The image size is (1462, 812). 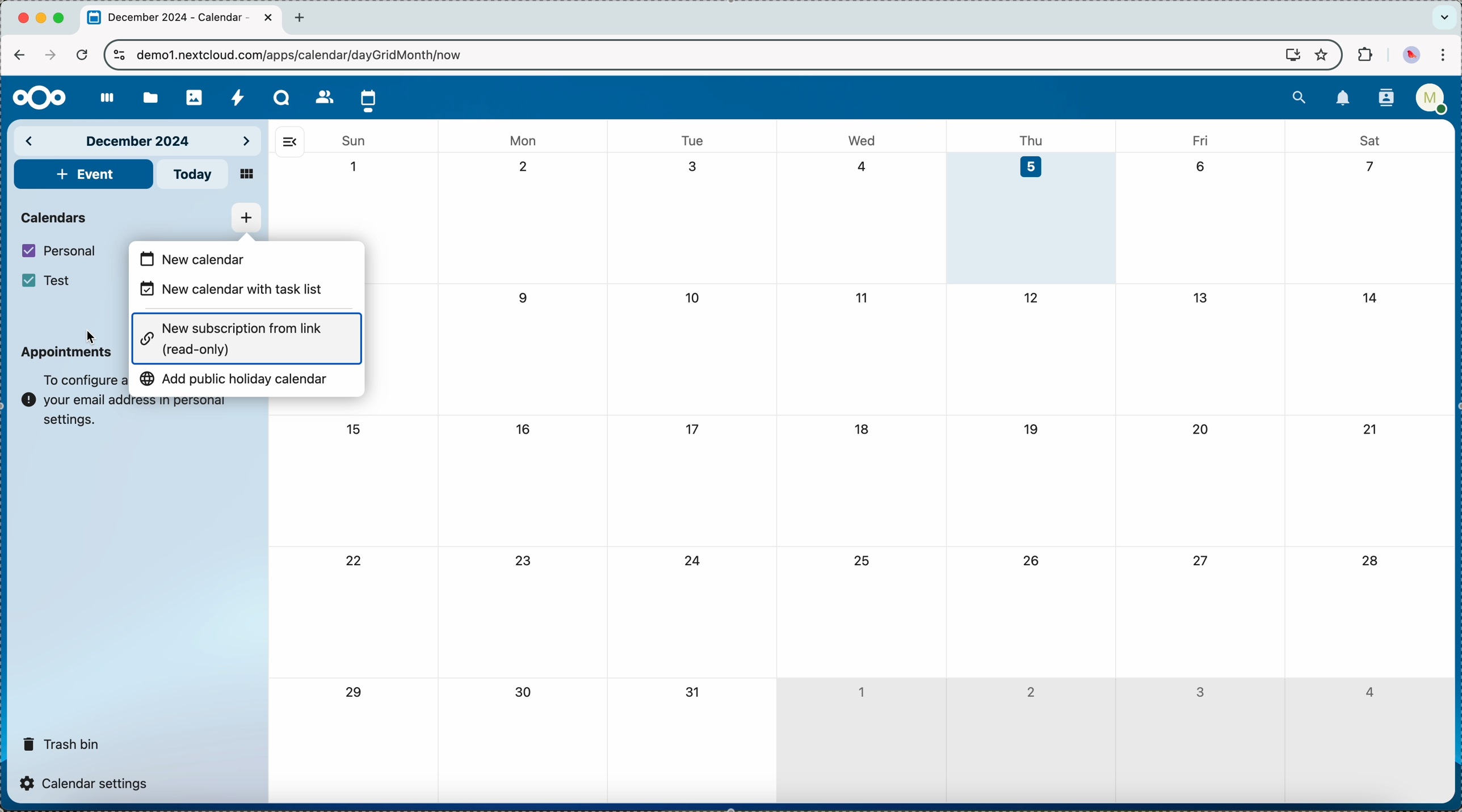 What do you see at coordinates (1369, 140) in the screenshot?
I see `sat` at bounding box center [1369, 140].